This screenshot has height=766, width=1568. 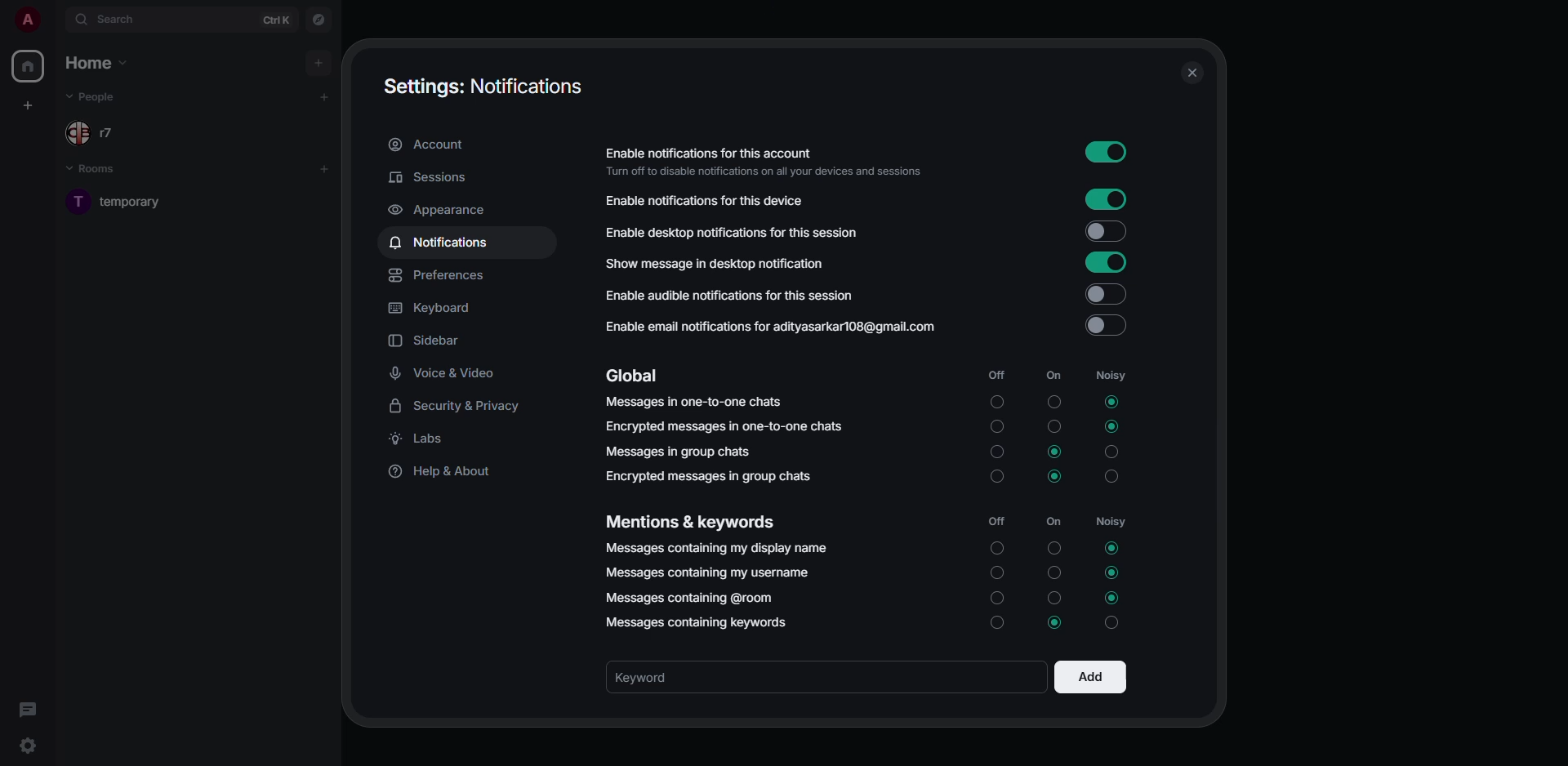 I want to click on keyboard, so click(x=430, y=308).